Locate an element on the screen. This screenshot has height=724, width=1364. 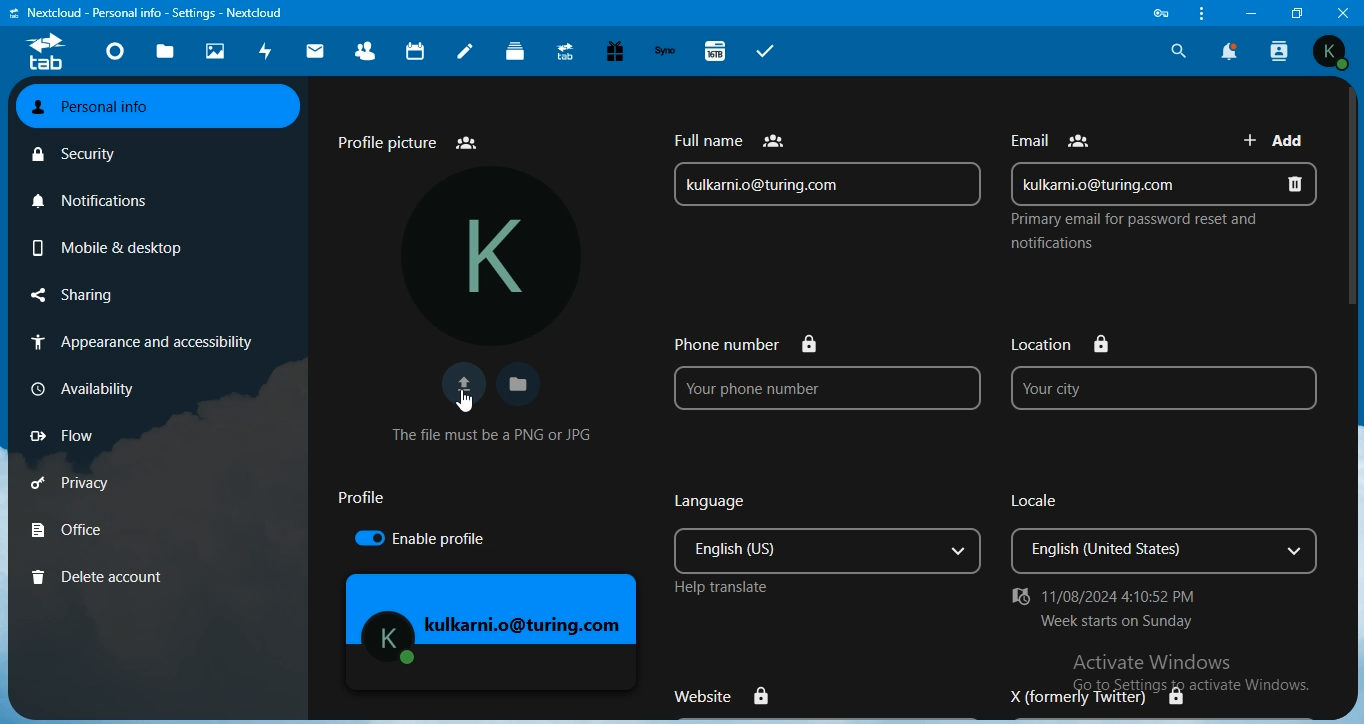
privacy is located at coordinates (76, 484).